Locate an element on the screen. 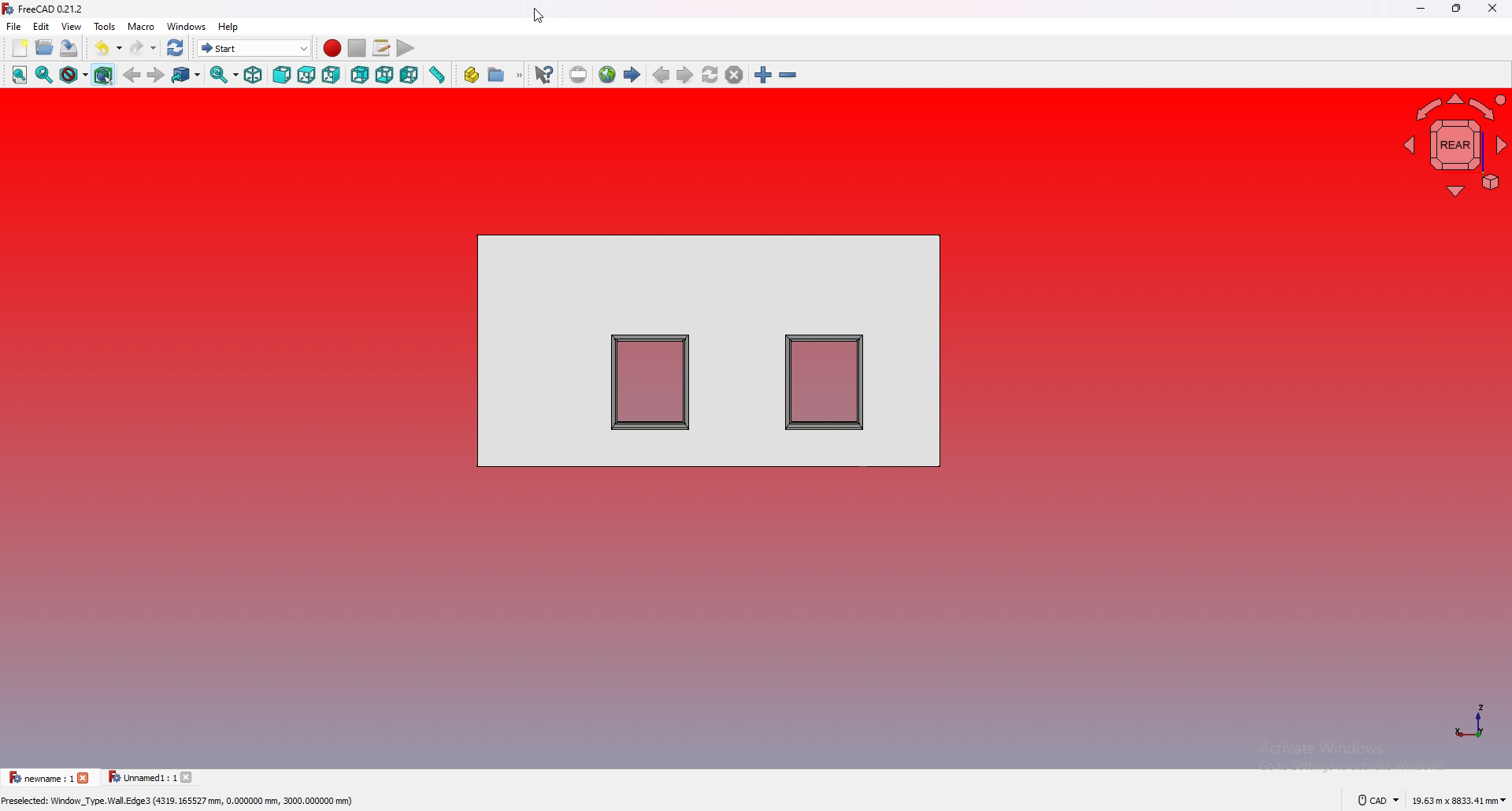 The image size is (1512, 811). back is located at coordinates (133, 75).